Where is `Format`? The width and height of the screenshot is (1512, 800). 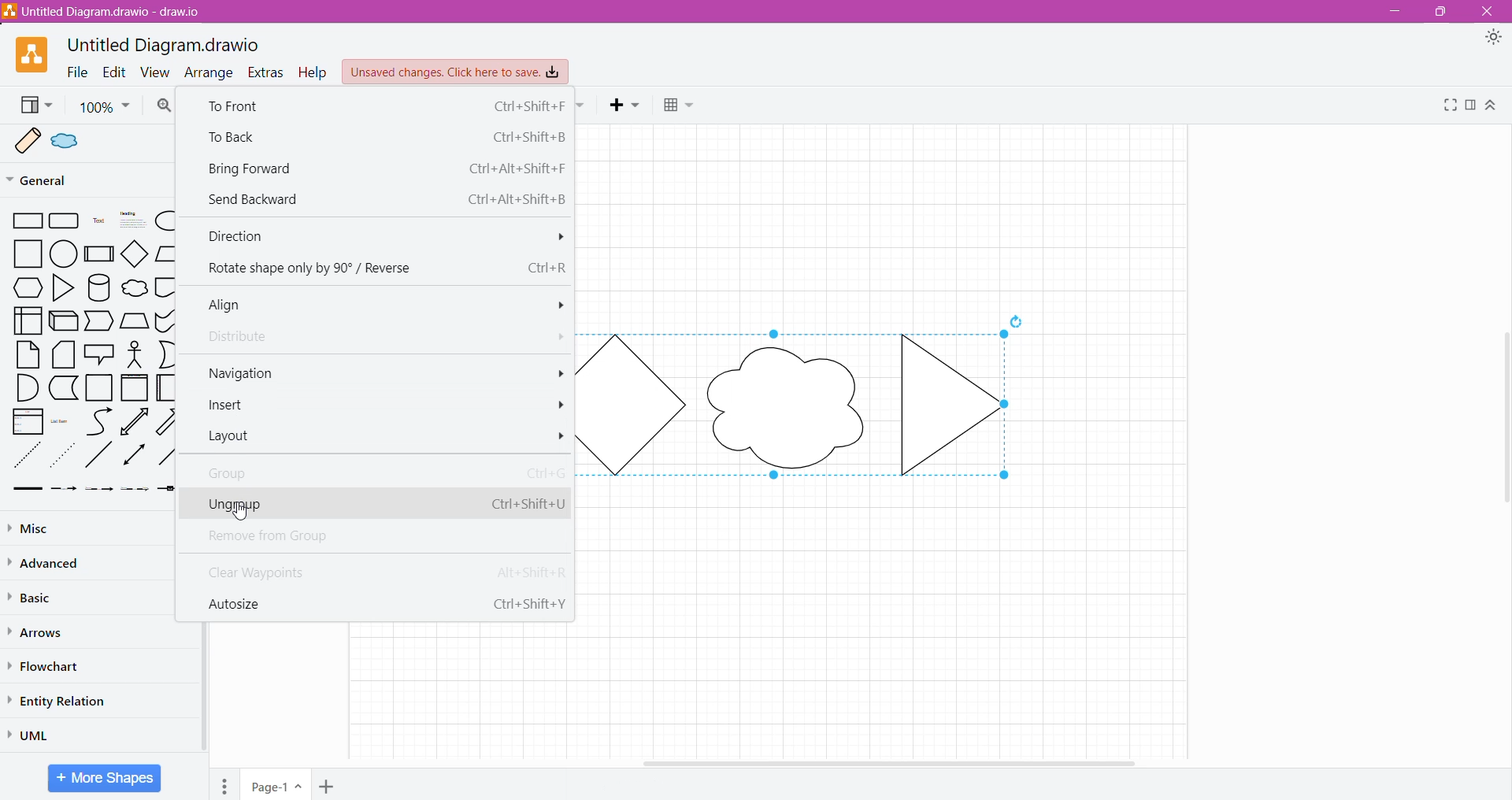 Format is located at coordinates (1470, 106).